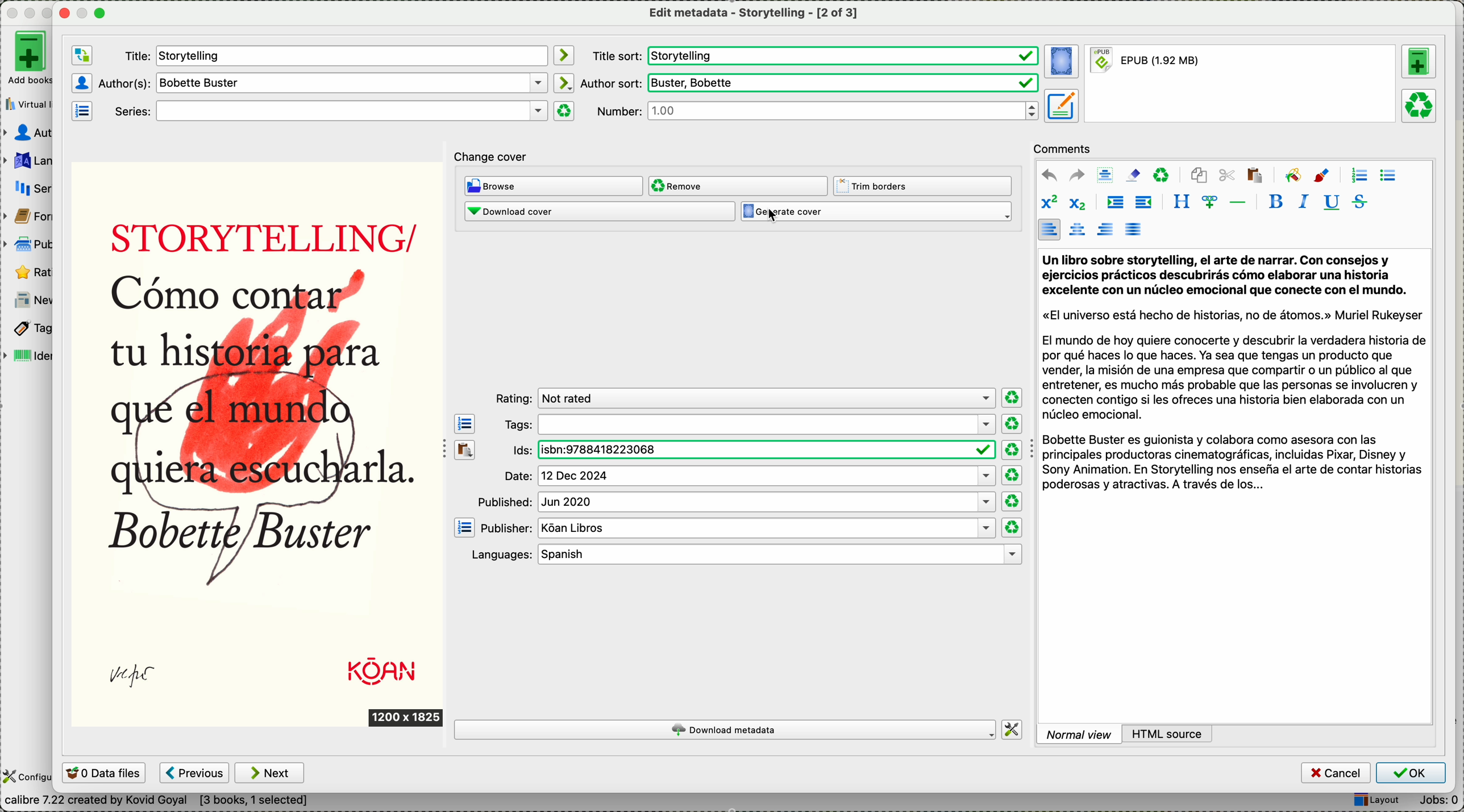  I want to click on cut, so click(1227, 176).